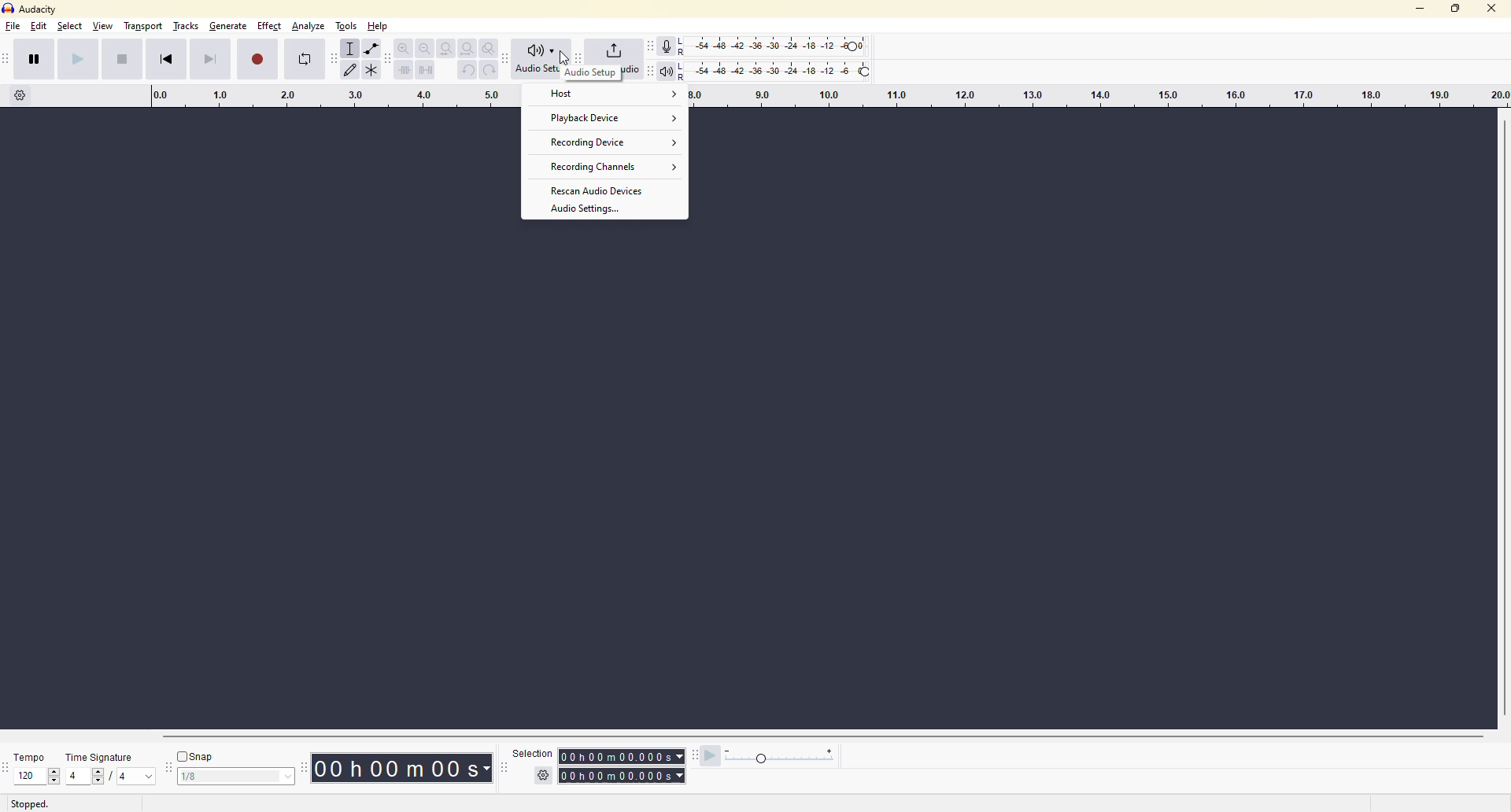 This screenshot has height=812, width=1511. Describe the element at coordinates (175, 802) in the screenshot. I see `audio setup` at that location.